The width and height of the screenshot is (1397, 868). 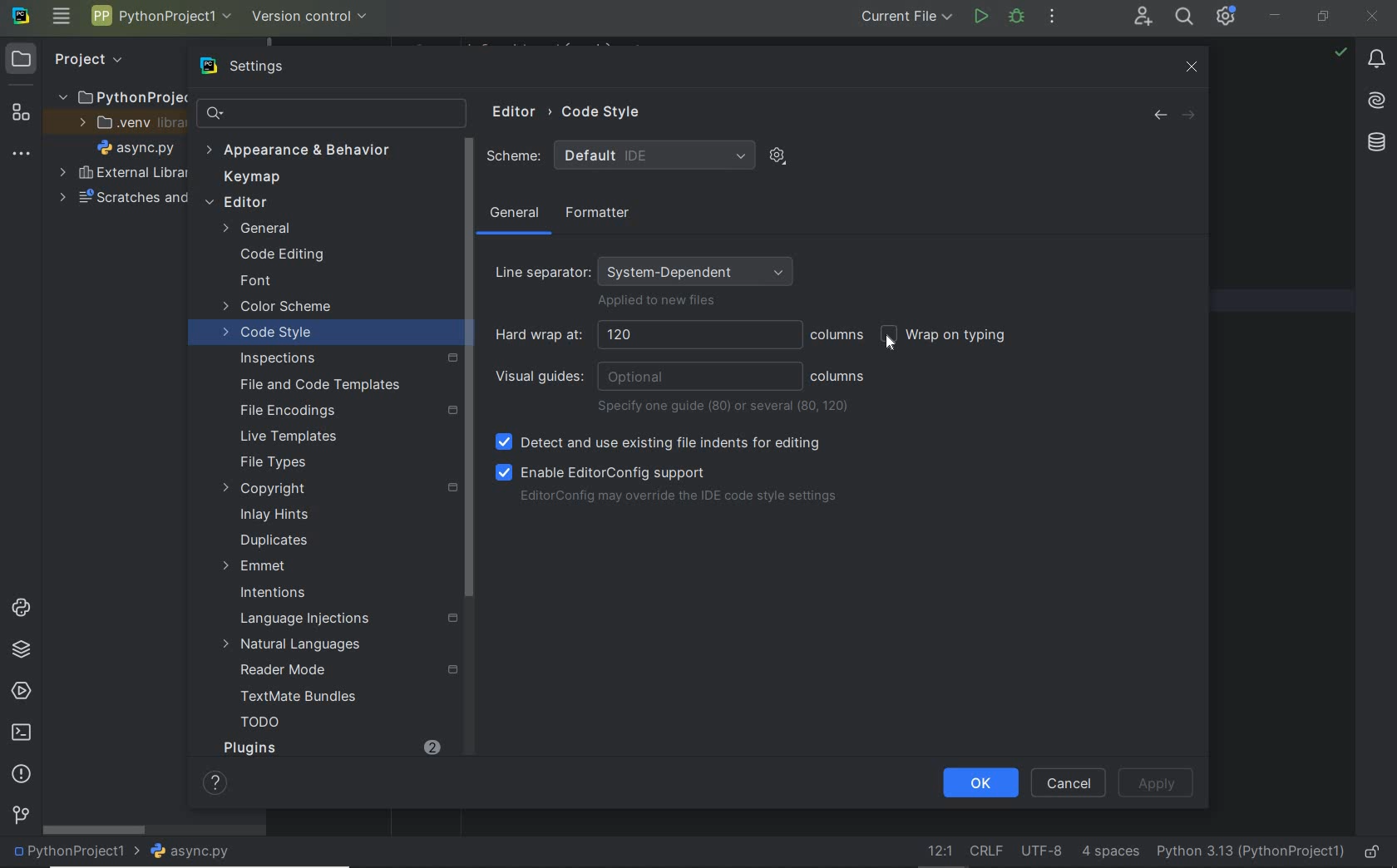 I want to click on file encoding, so click(x=1042, y=851).